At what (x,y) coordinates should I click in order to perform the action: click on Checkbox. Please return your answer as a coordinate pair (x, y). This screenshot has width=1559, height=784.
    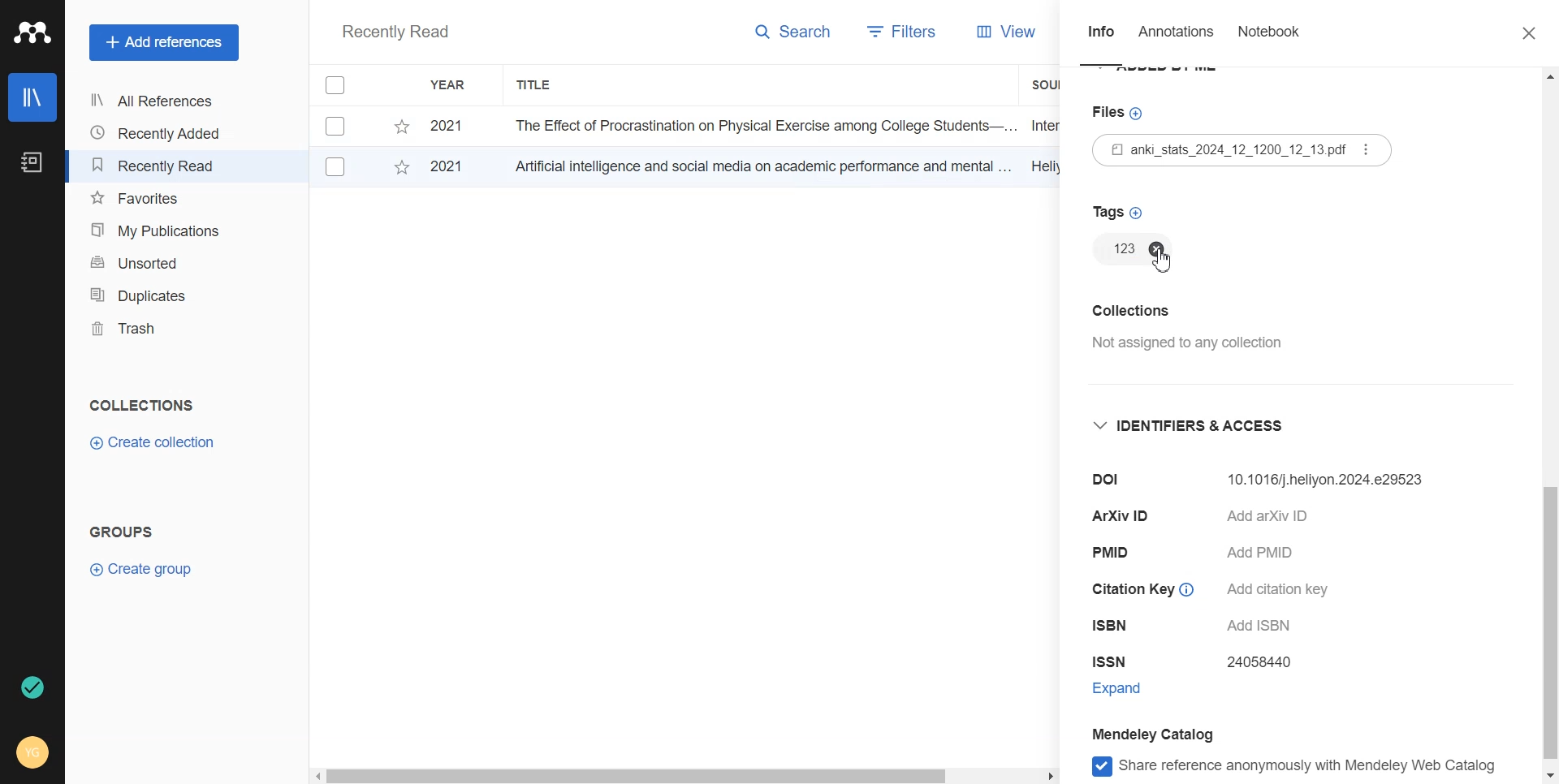
    Looking at the image, I should click on (339, 125).